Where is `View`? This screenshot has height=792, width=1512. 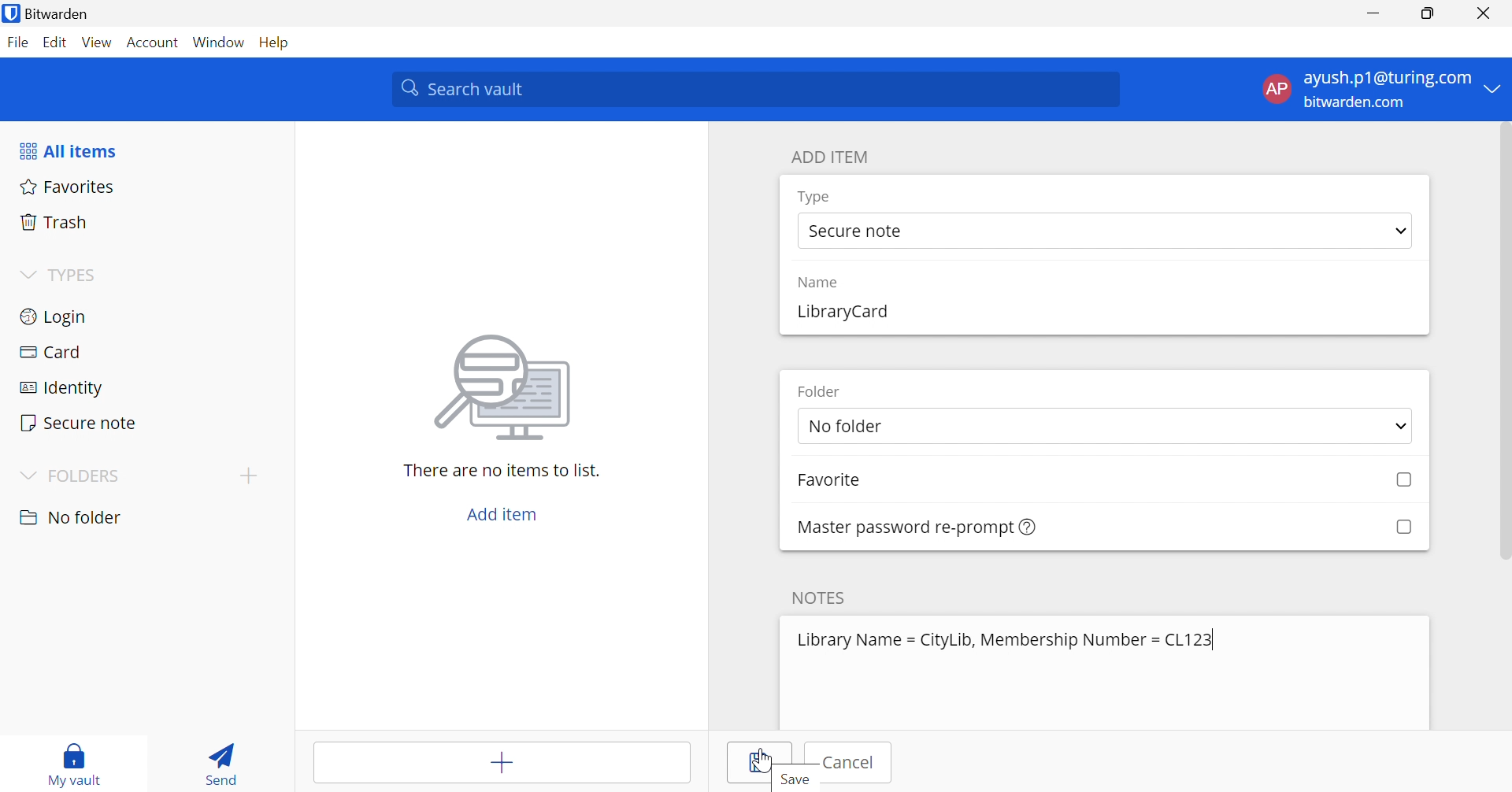 View is located at coordinates (98, 44).